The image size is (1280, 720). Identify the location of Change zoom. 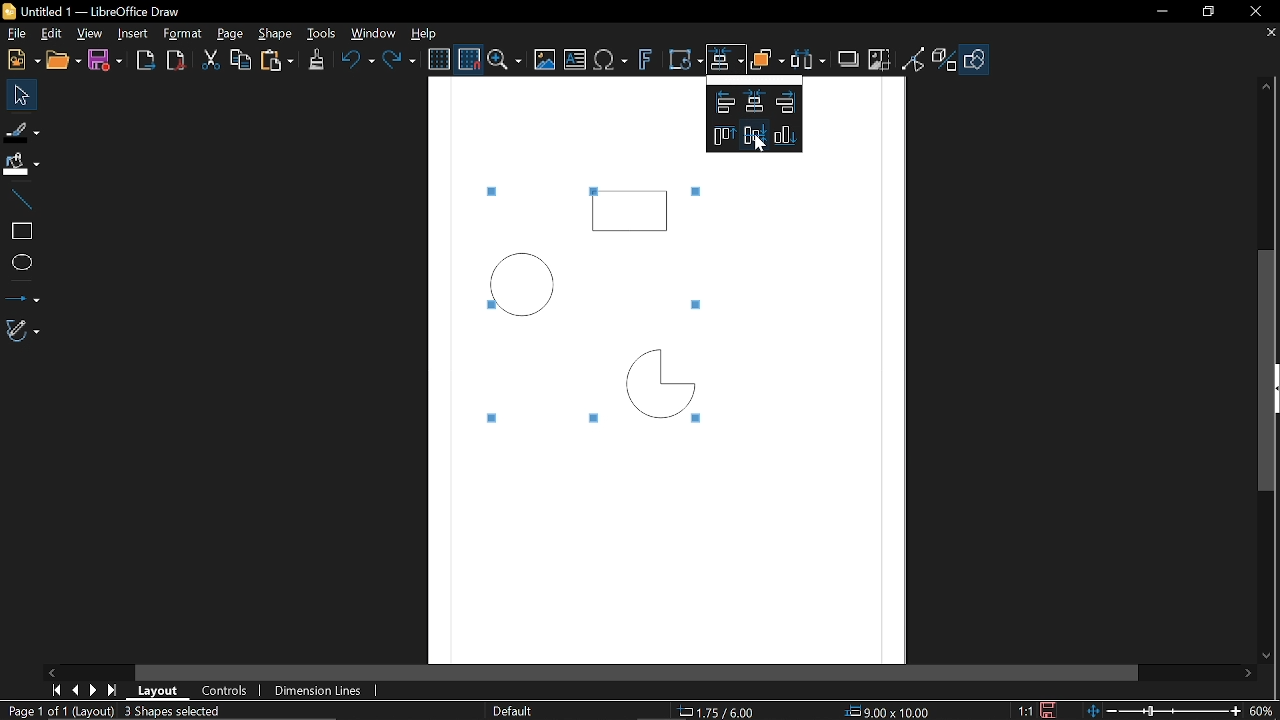
(1159, 710).